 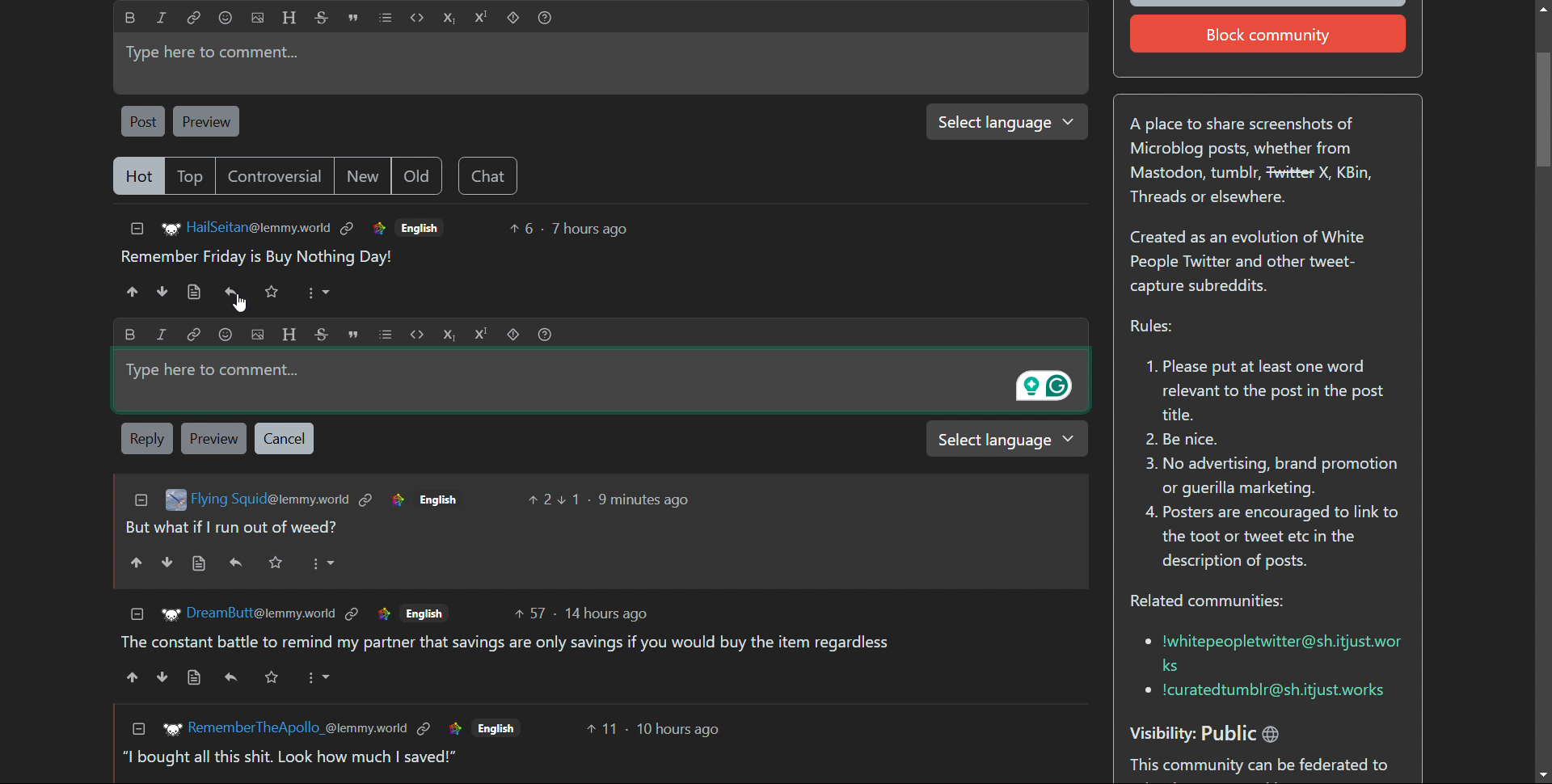 What do you see at coordinates (131, 333) in the screenshot?
I see `Bold` at bounding box center [131, 333].